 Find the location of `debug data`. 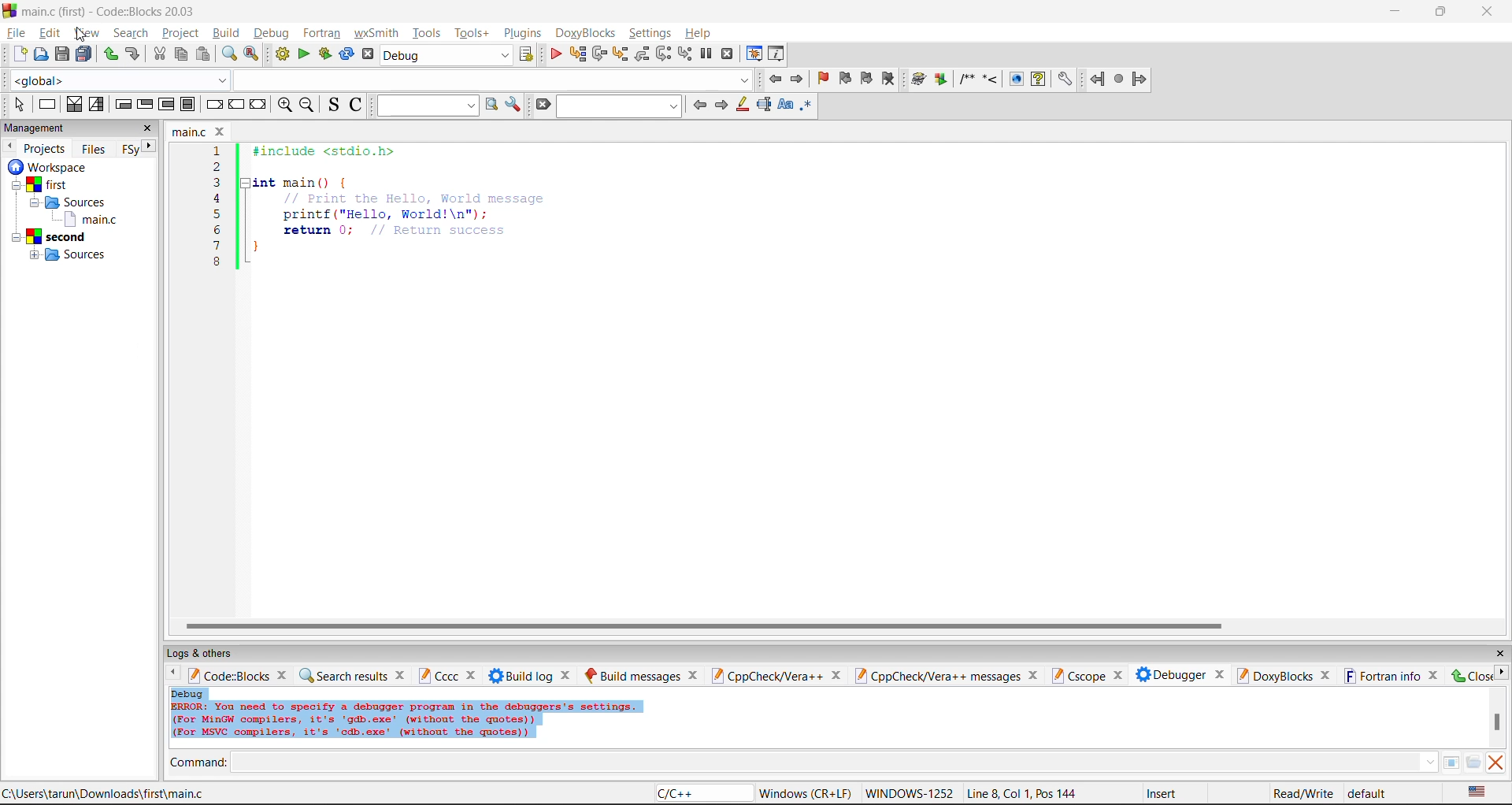

debug data is located at coordinates (433, 717).